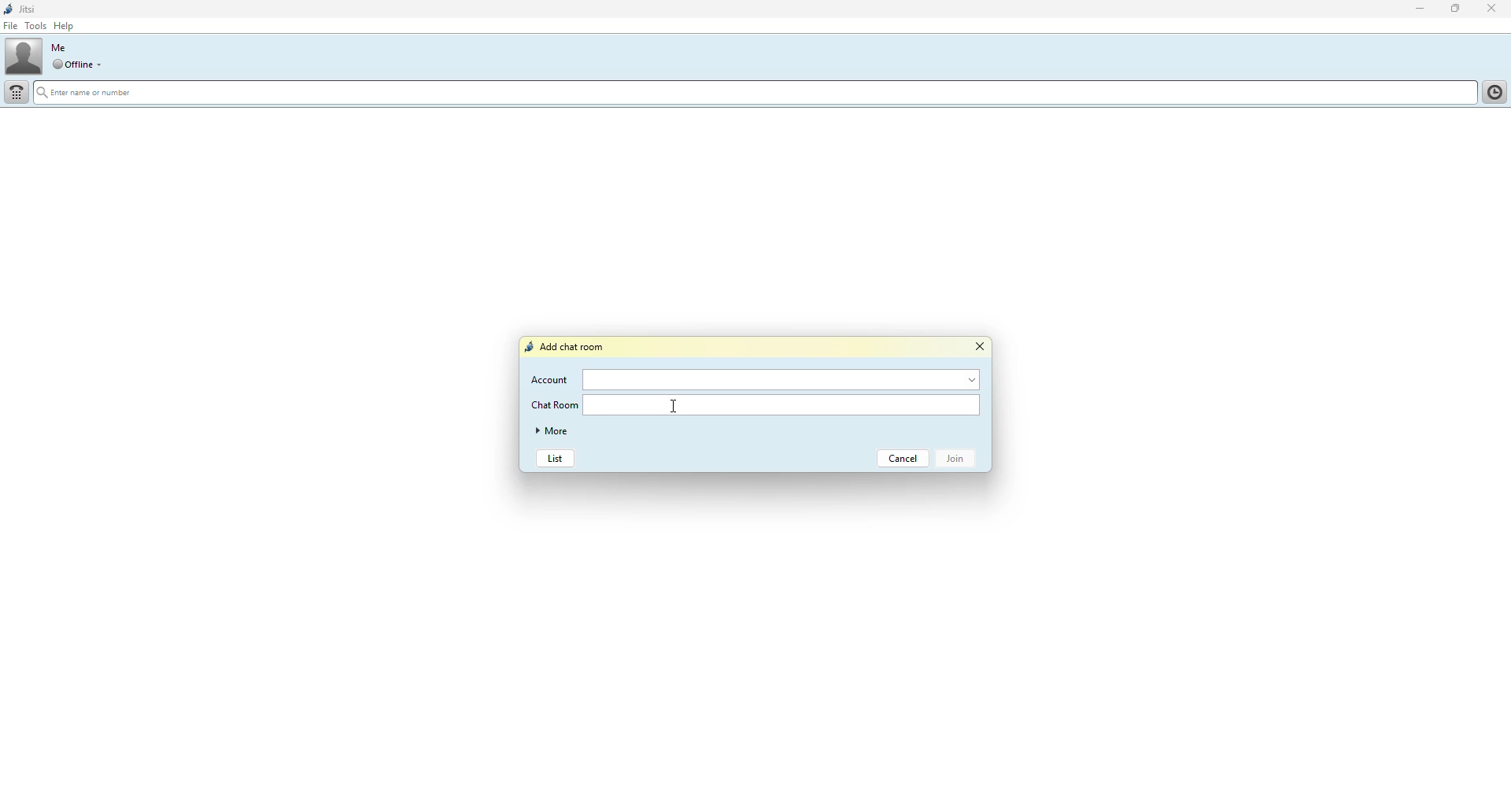  Describe the element at coordinates (1413, 9) in the screenshot. I see `minimize` at that location.